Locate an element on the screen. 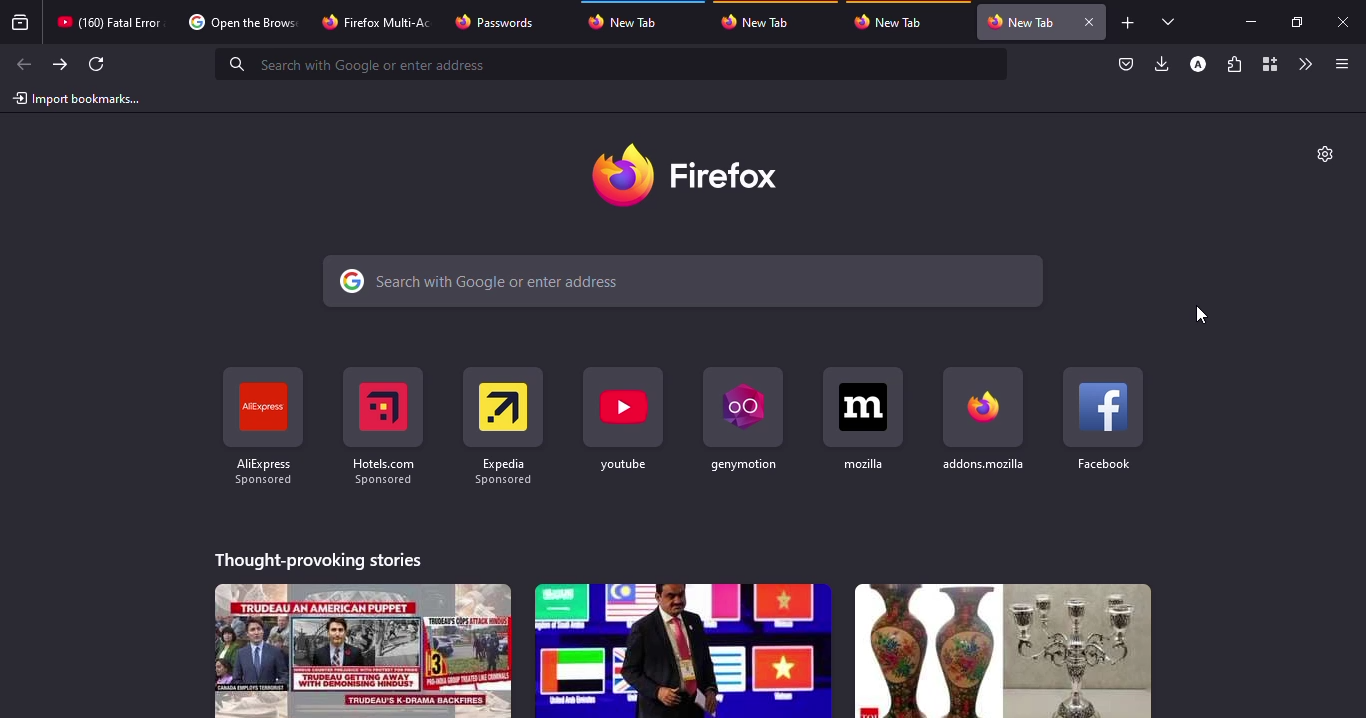 This screenshot has width=1366, height=718. tab is located at coordinates (375, 21).